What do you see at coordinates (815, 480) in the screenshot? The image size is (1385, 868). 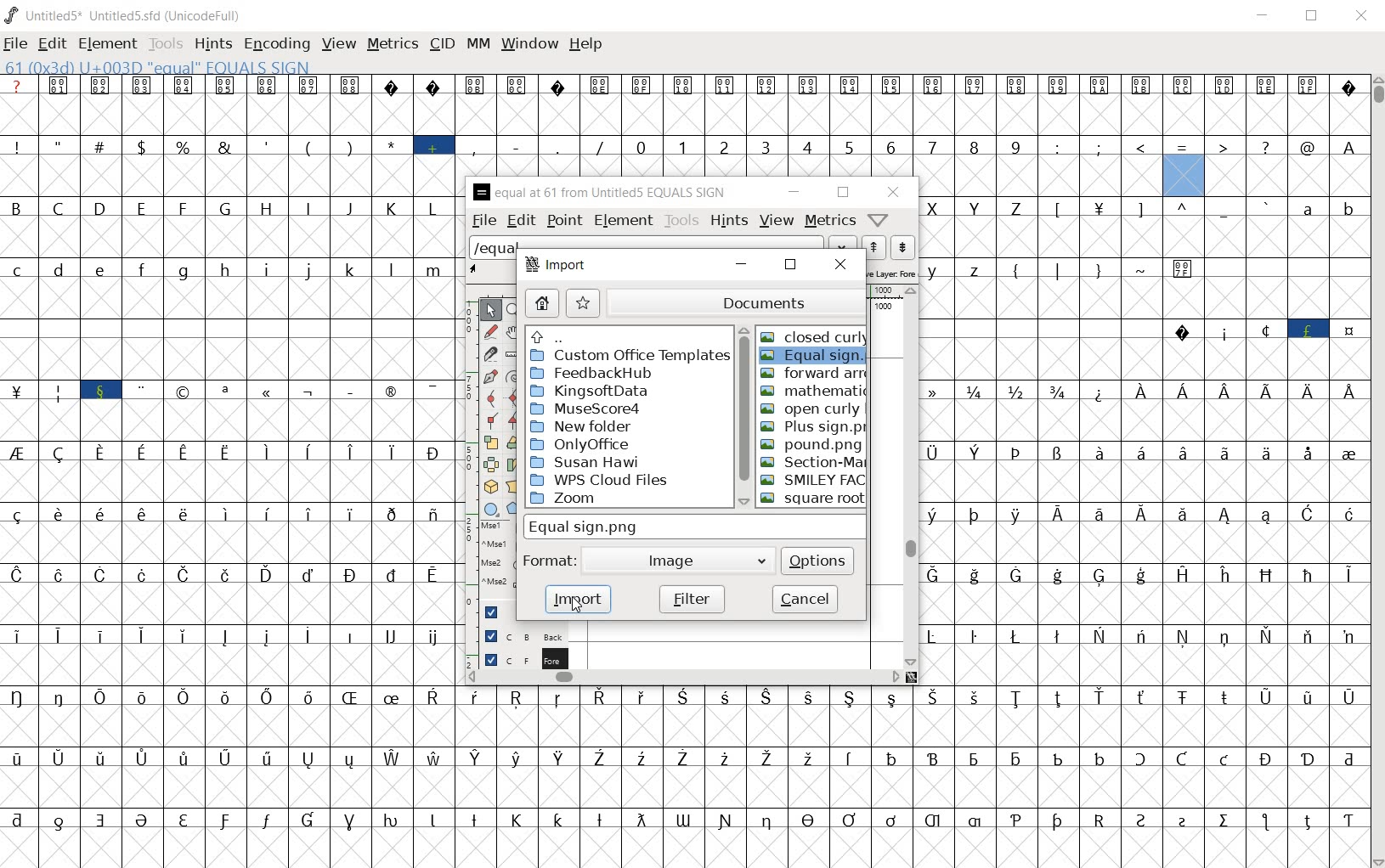 I see `SMILEY FACE` at bounding box center [815, 480].